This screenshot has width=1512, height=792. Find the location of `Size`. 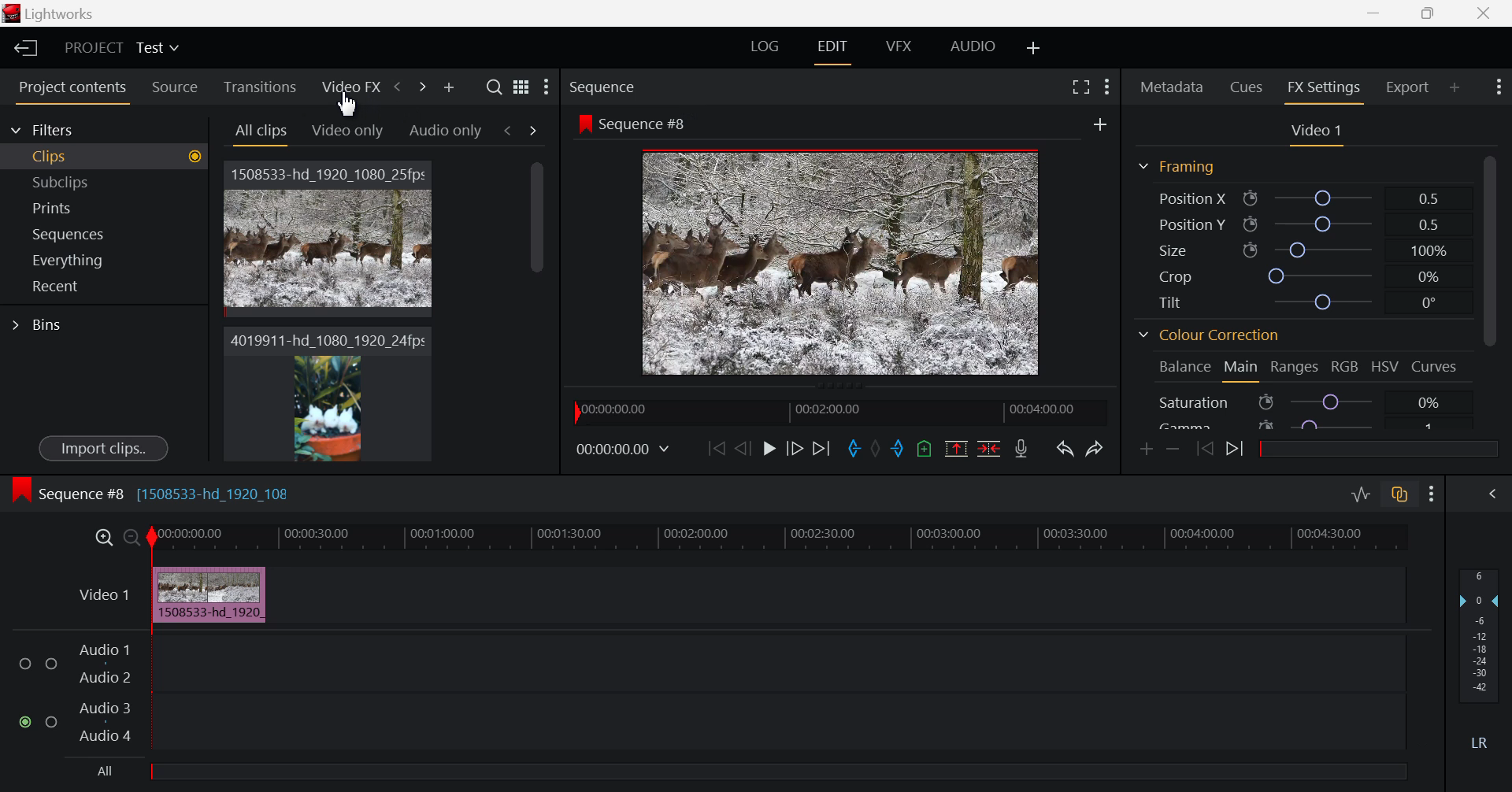

Size is located at coordinates (1307, 250).